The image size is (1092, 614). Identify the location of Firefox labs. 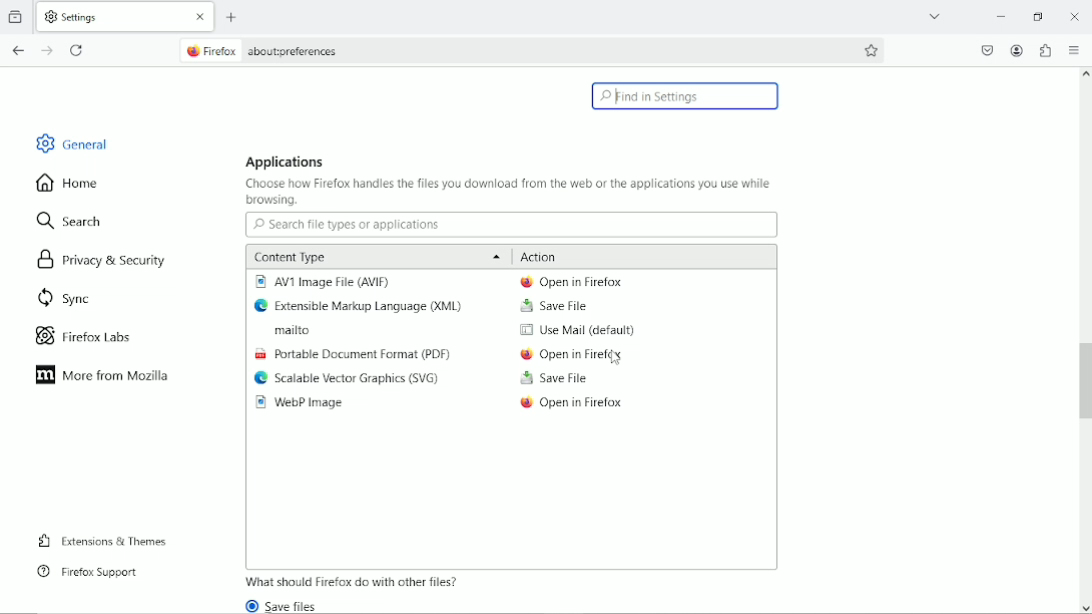
(92, 335).